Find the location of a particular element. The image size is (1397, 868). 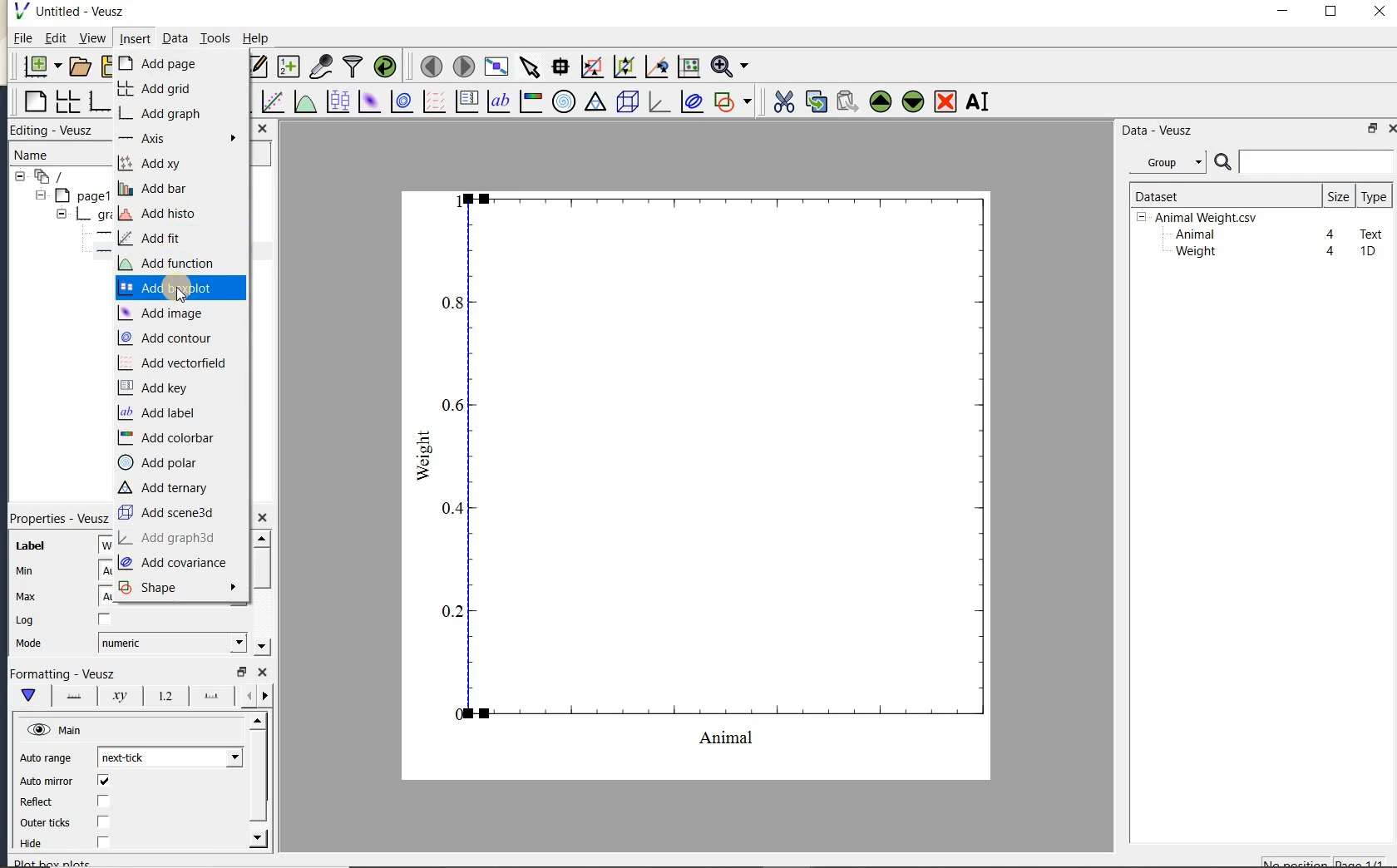

check/uncheck is located at coordinates (105, 620).